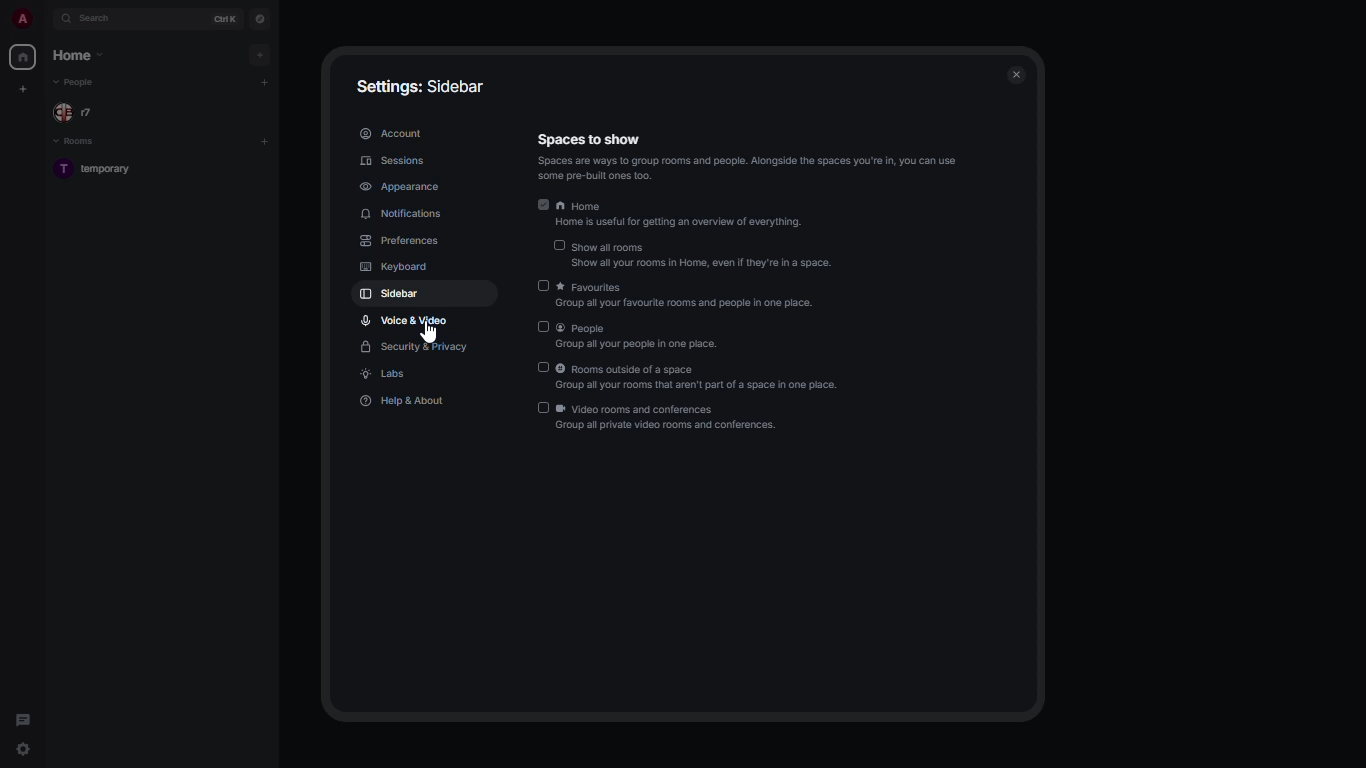 The image size is (1366, 768). What do you see at coordinates (544, 285) in the screenshot?
I see `disabled` at bounding box center [544, 285].